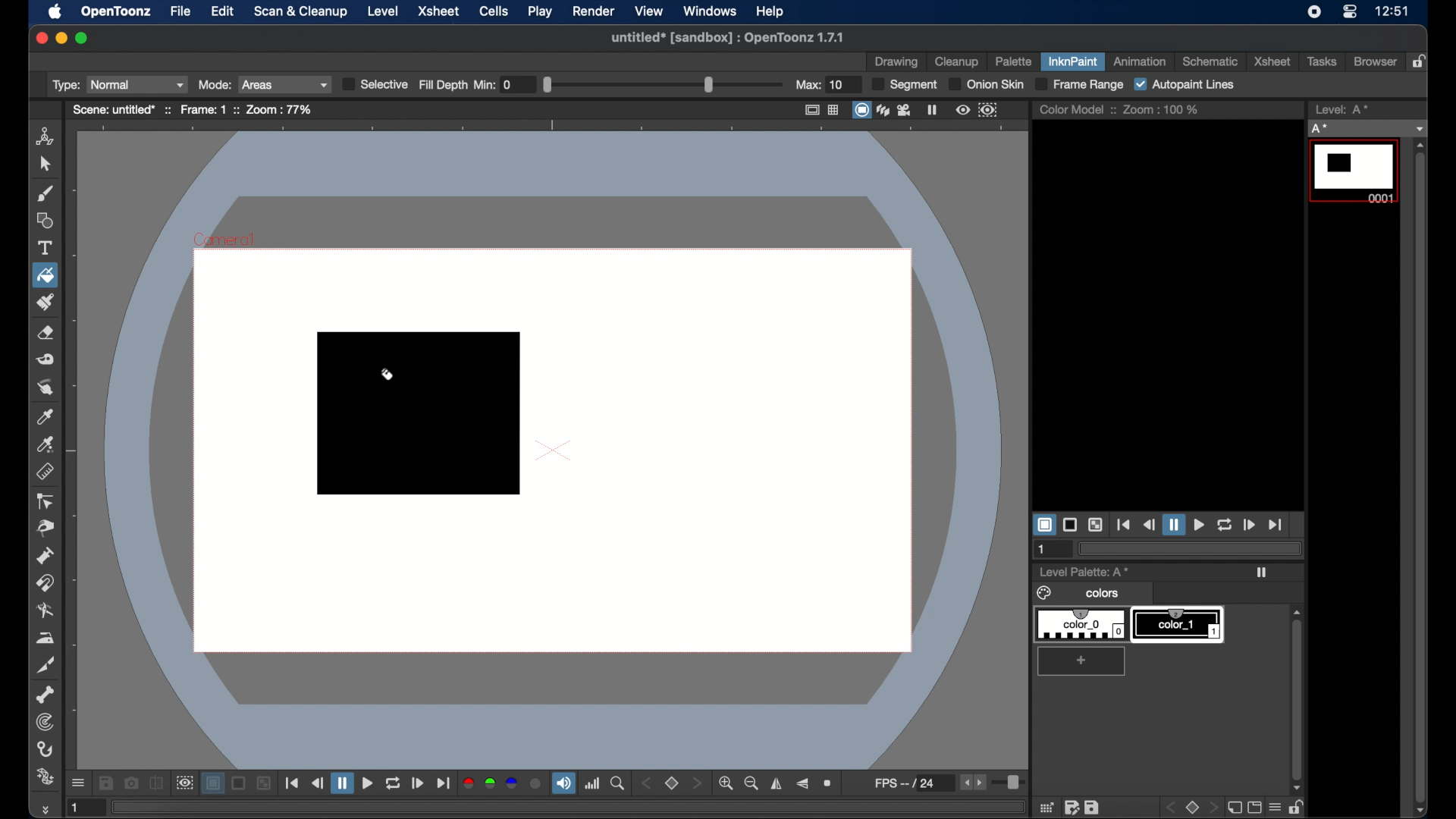  Describe the element at coordinates (1261, 573) in the screenshot. I see `play icon` at that location.